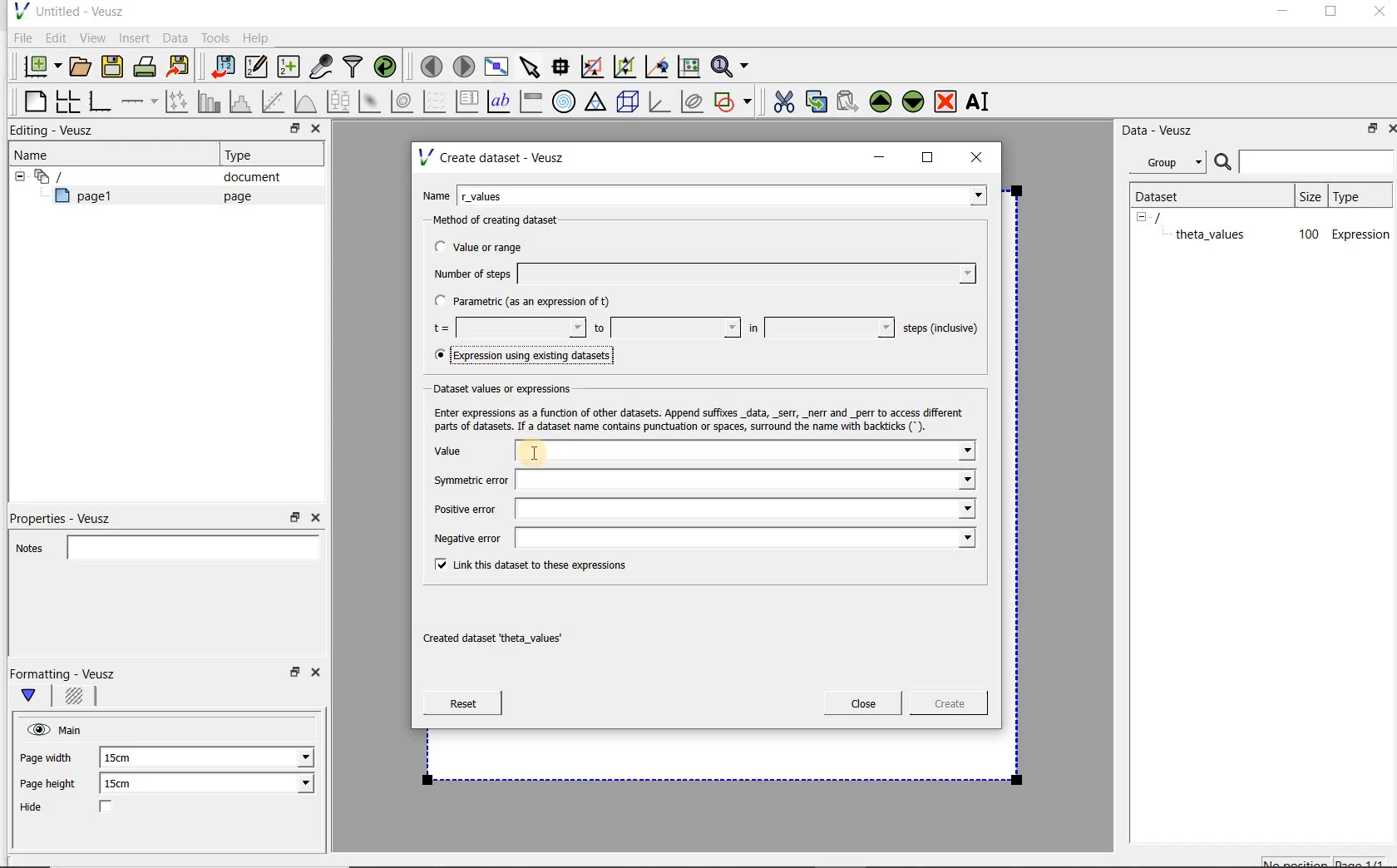  I want to click on page1, so click(91, 199).